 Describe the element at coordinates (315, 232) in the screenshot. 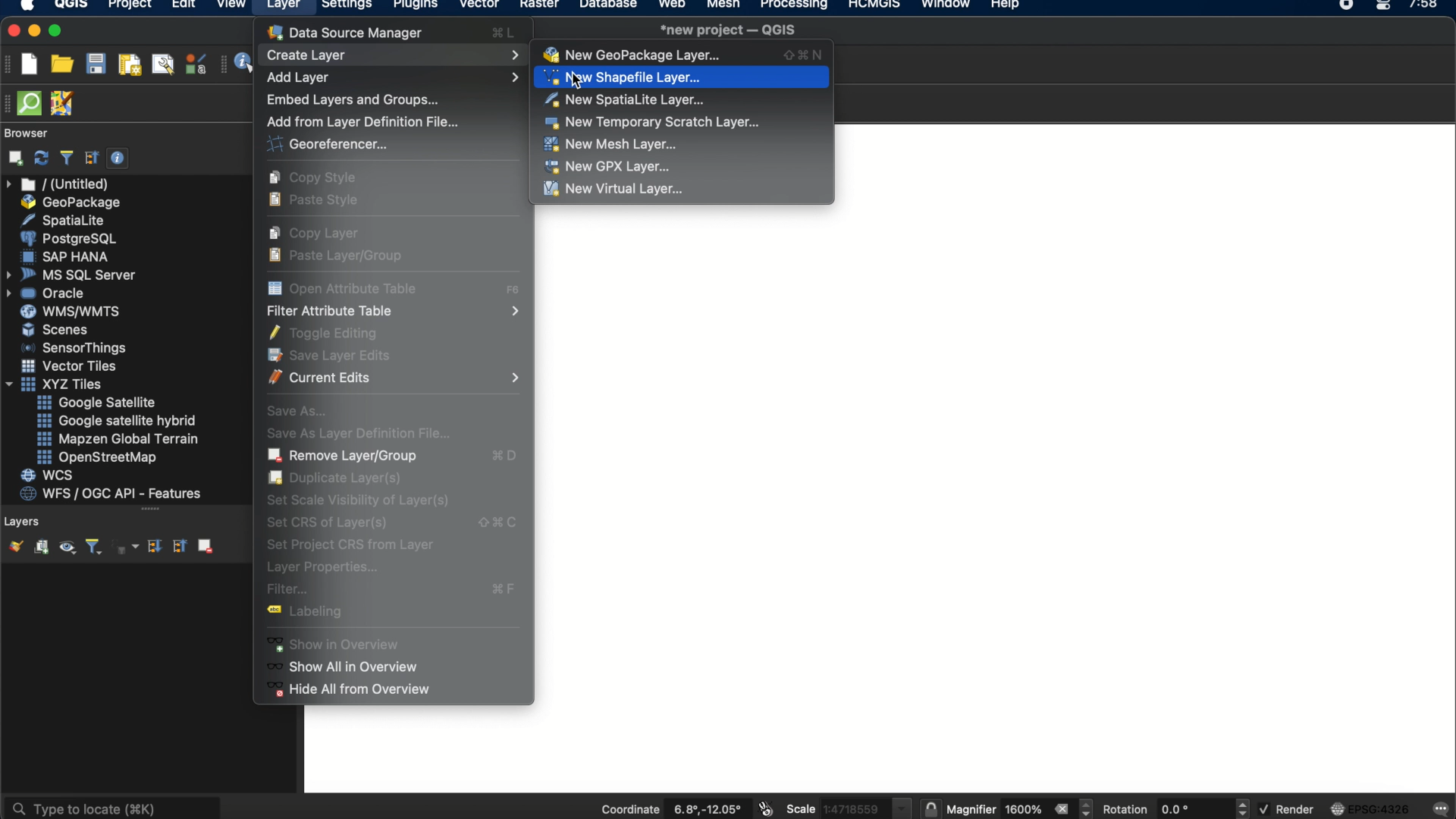

I see `copy layer` at that location.